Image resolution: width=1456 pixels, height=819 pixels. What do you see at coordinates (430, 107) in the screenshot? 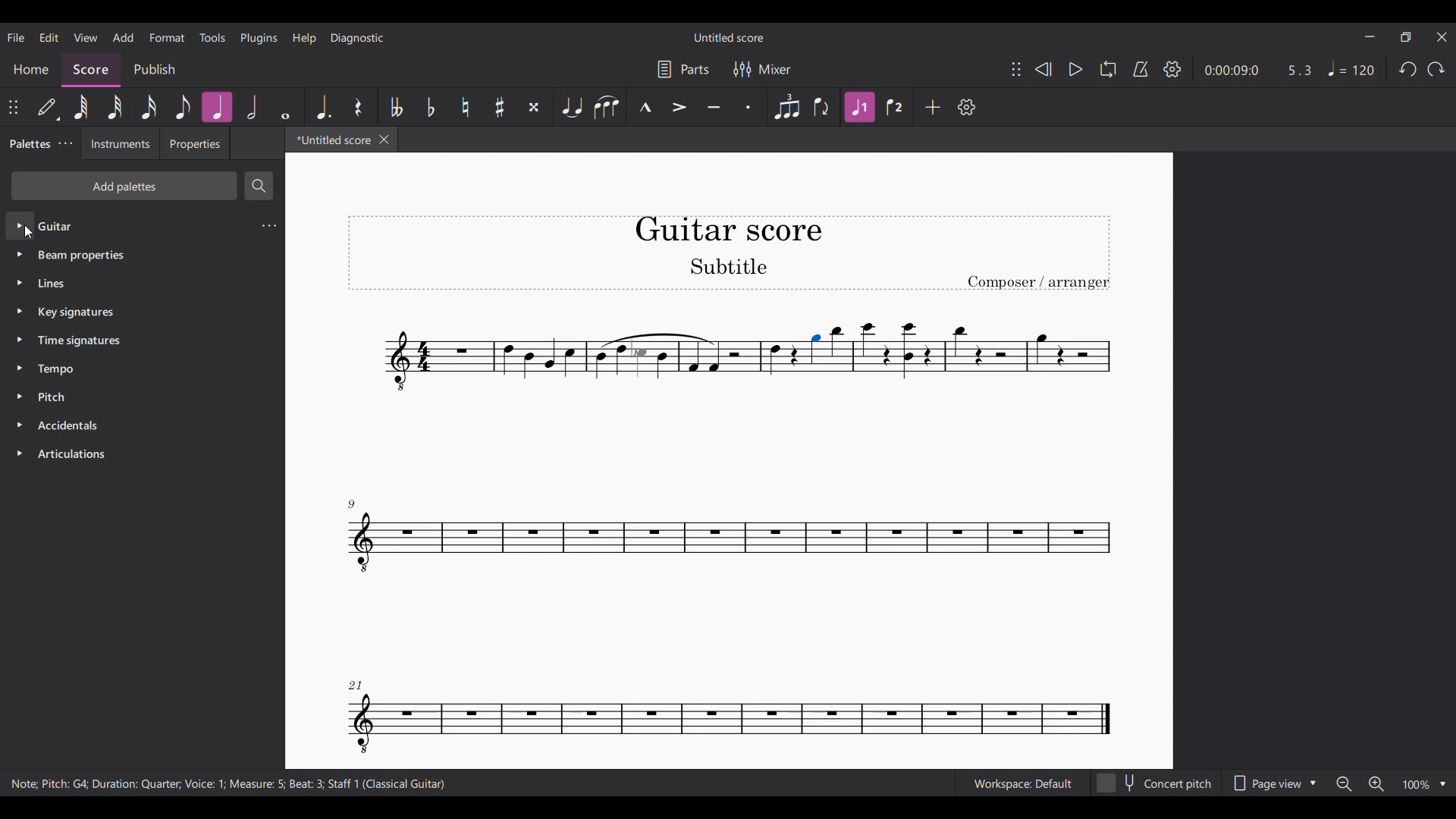
I see `Toggle flat` at bounding box center [430, 107].